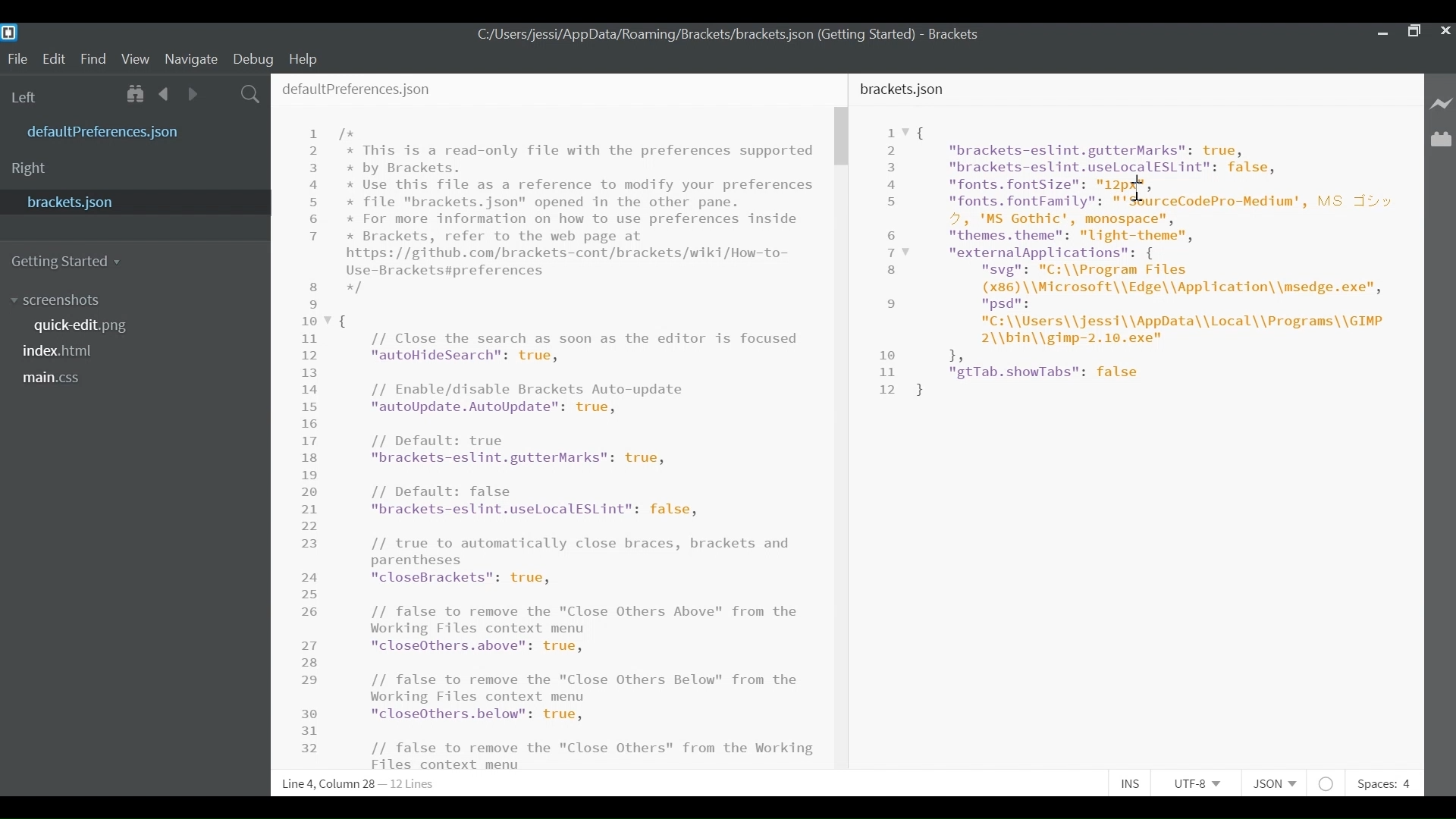 This screenshot has height=819, width=1456. Describe the element at coordinates (302, 58) in the screenshot. I see `Help` at that location.